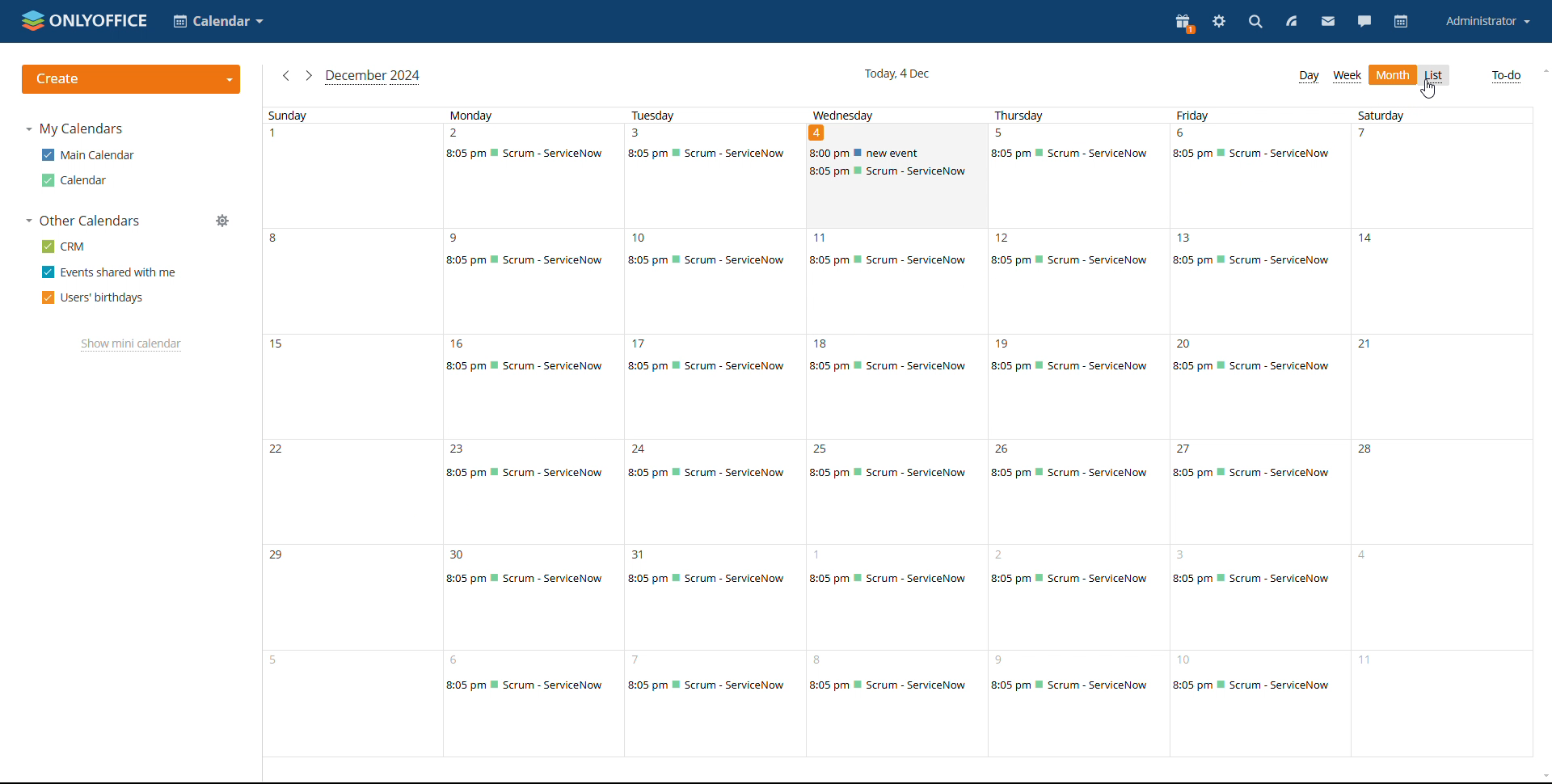 The image size is (1552, 784). What do you see at coordinates (84, 221) in the screenshot?
I see `other calendars` at bounding box center [84, 221].